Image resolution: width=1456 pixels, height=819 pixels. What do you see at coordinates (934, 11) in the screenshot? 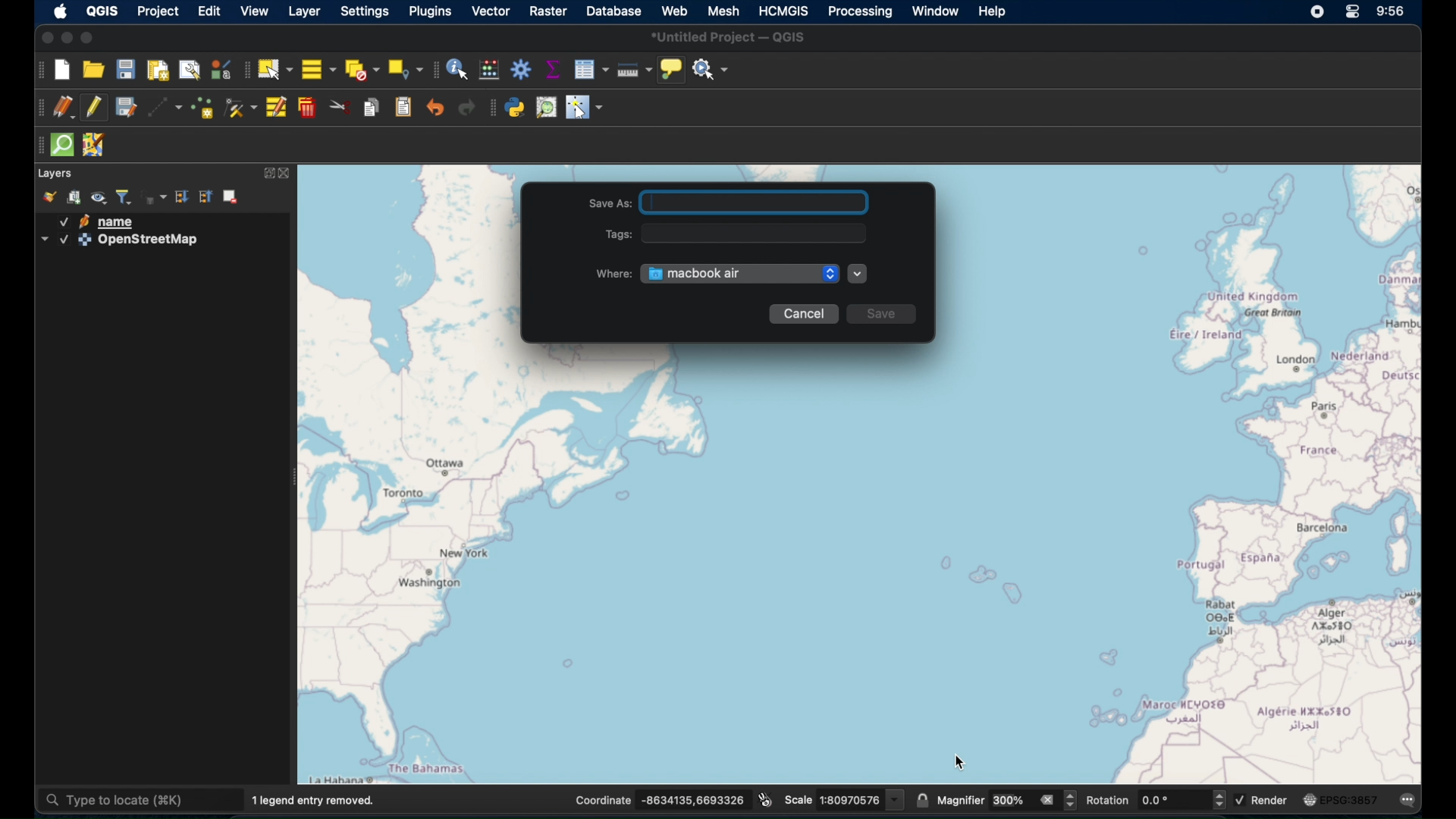
I see `window` at bounding box center [934, 11].